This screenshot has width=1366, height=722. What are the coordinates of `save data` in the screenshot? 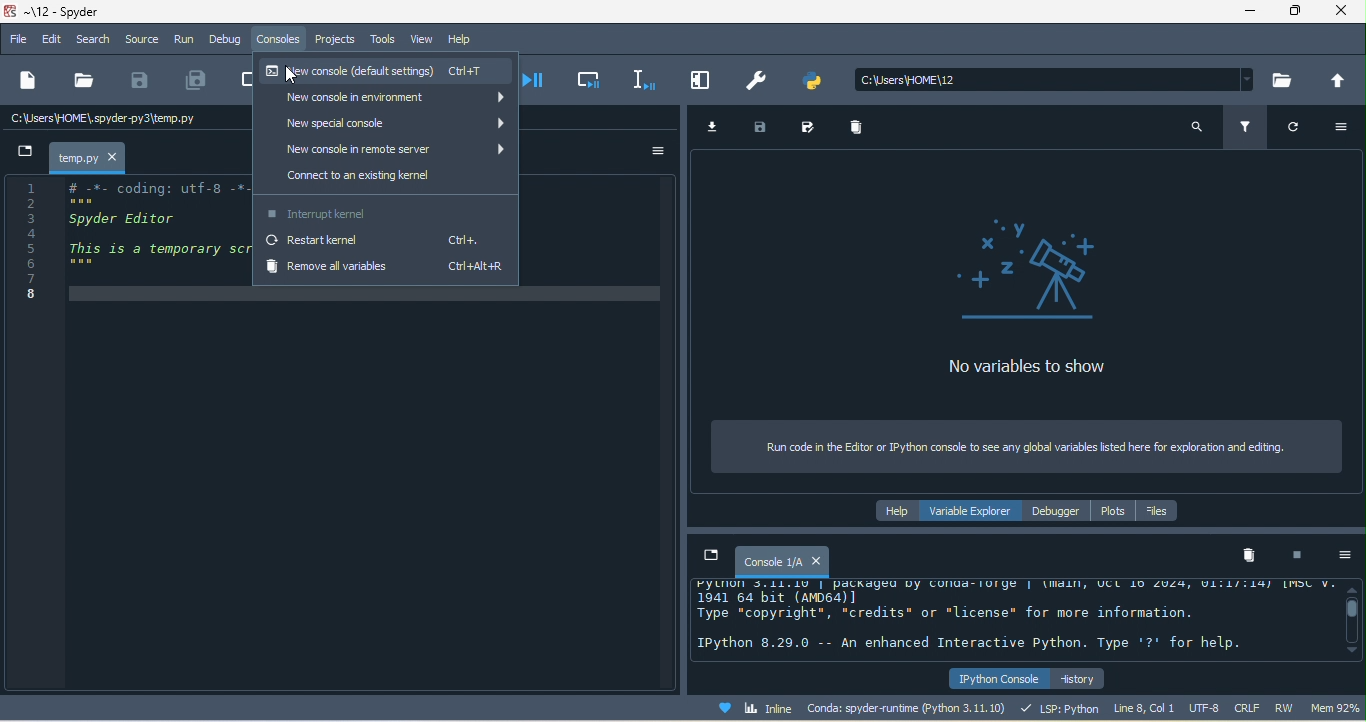 It's located at (766, 129).